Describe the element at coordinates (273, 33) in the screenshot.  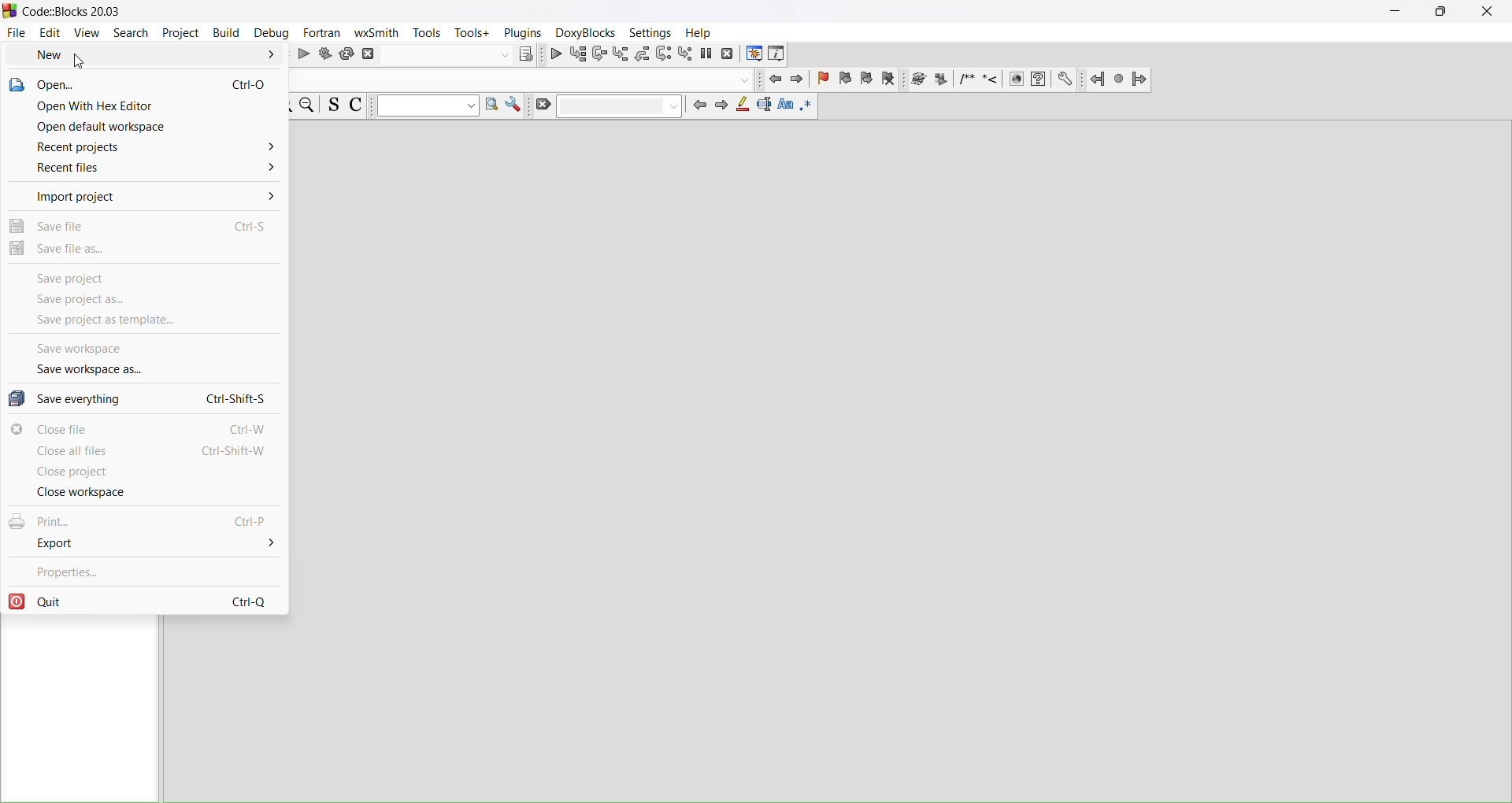
I see `debug` at that location.